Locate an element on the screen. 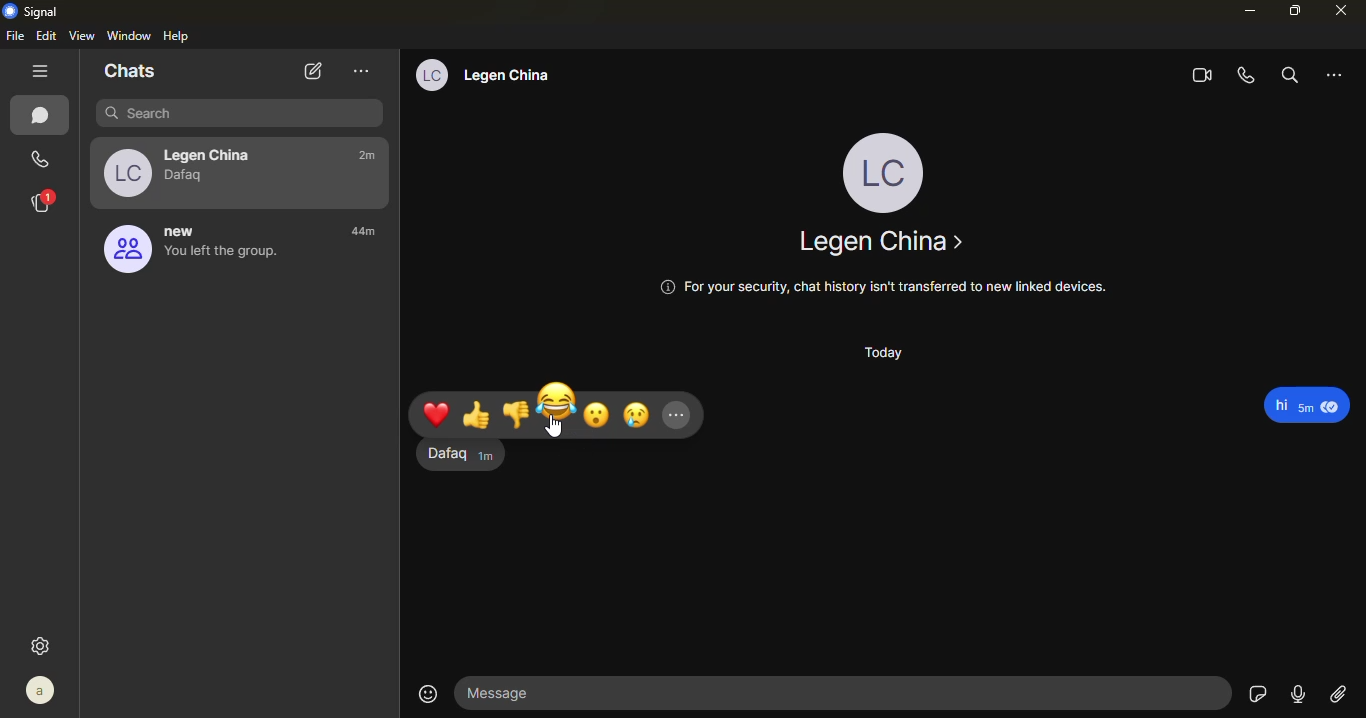 The height and width of the screenshot is (718, 1366). message is located at coordinates (847, 692).